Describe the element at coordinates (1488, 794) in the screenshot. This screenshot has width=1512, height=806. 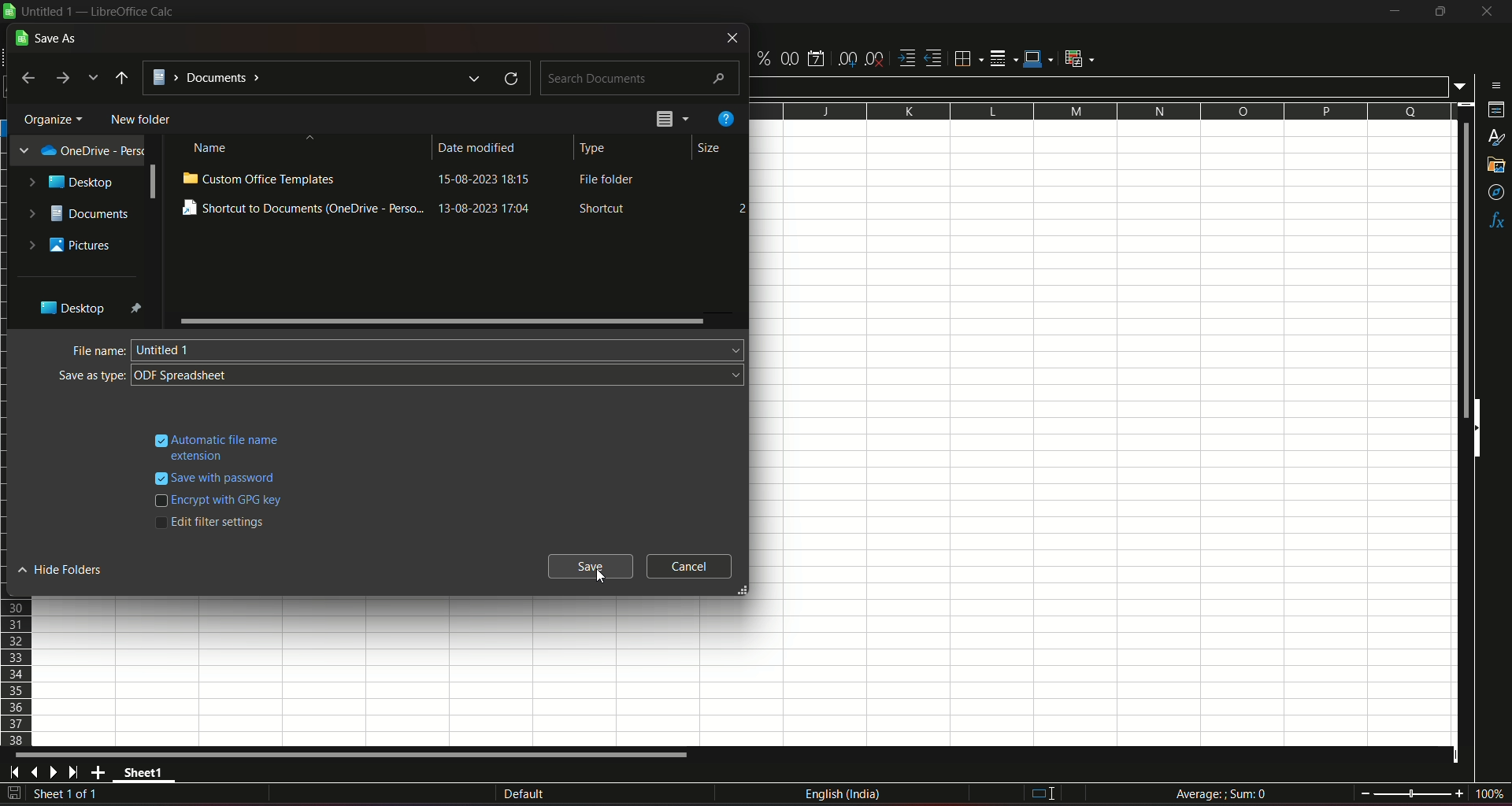
I see `zoom factor` at that location.